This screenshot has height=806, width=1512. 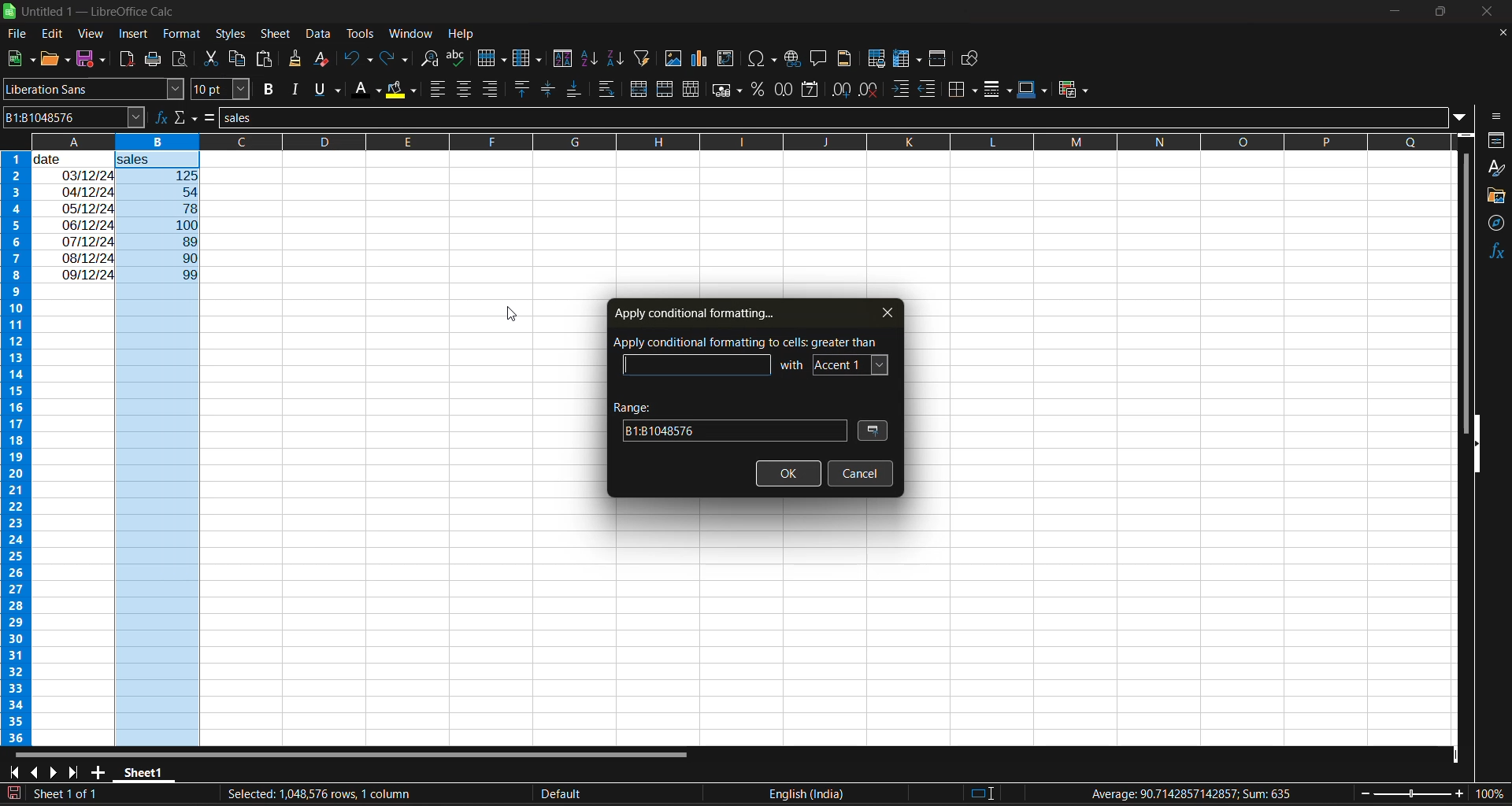 I want to click on align left, so click(x=438, y=90).